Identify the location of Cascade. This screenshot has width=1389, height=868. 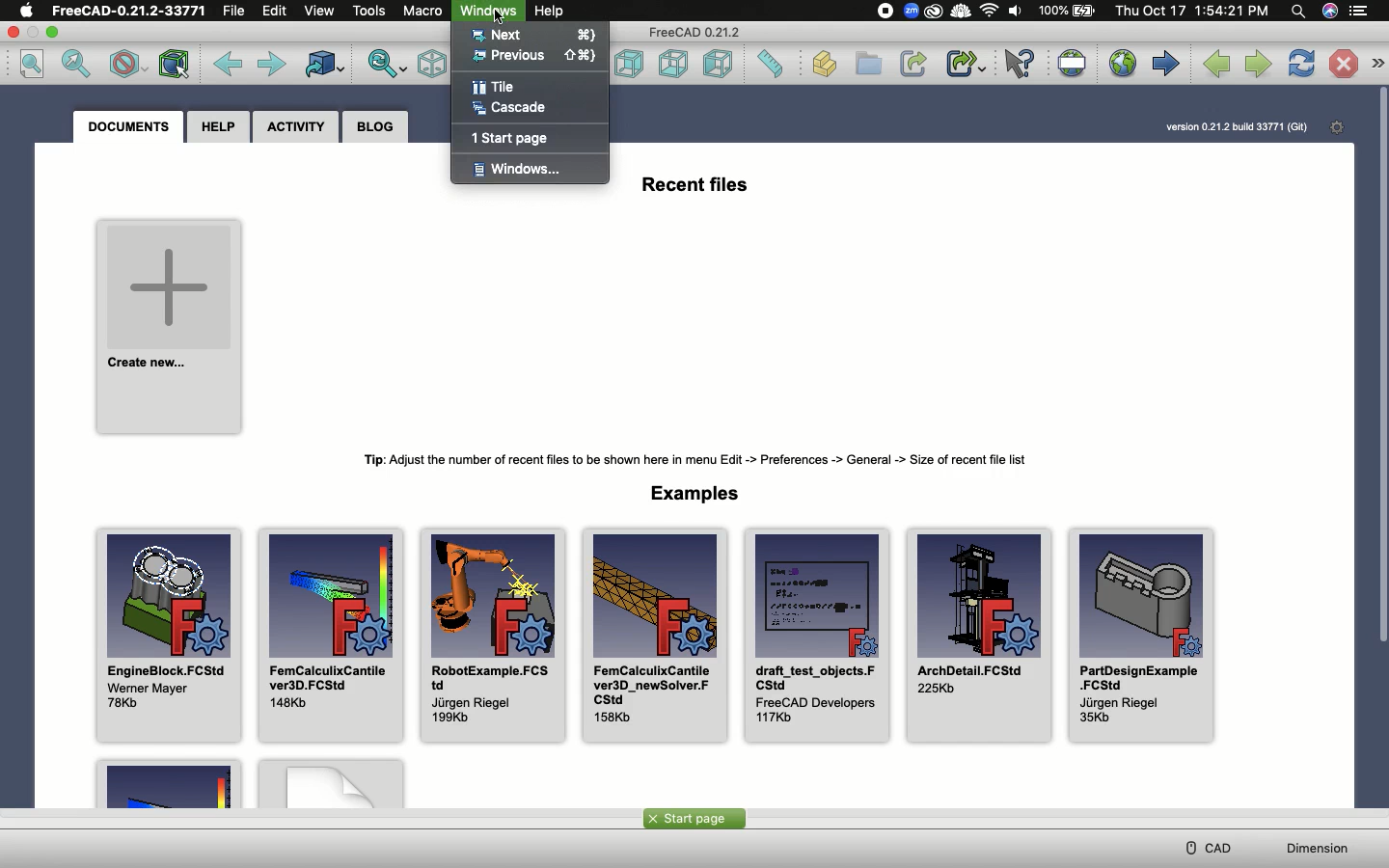
(513, 110).